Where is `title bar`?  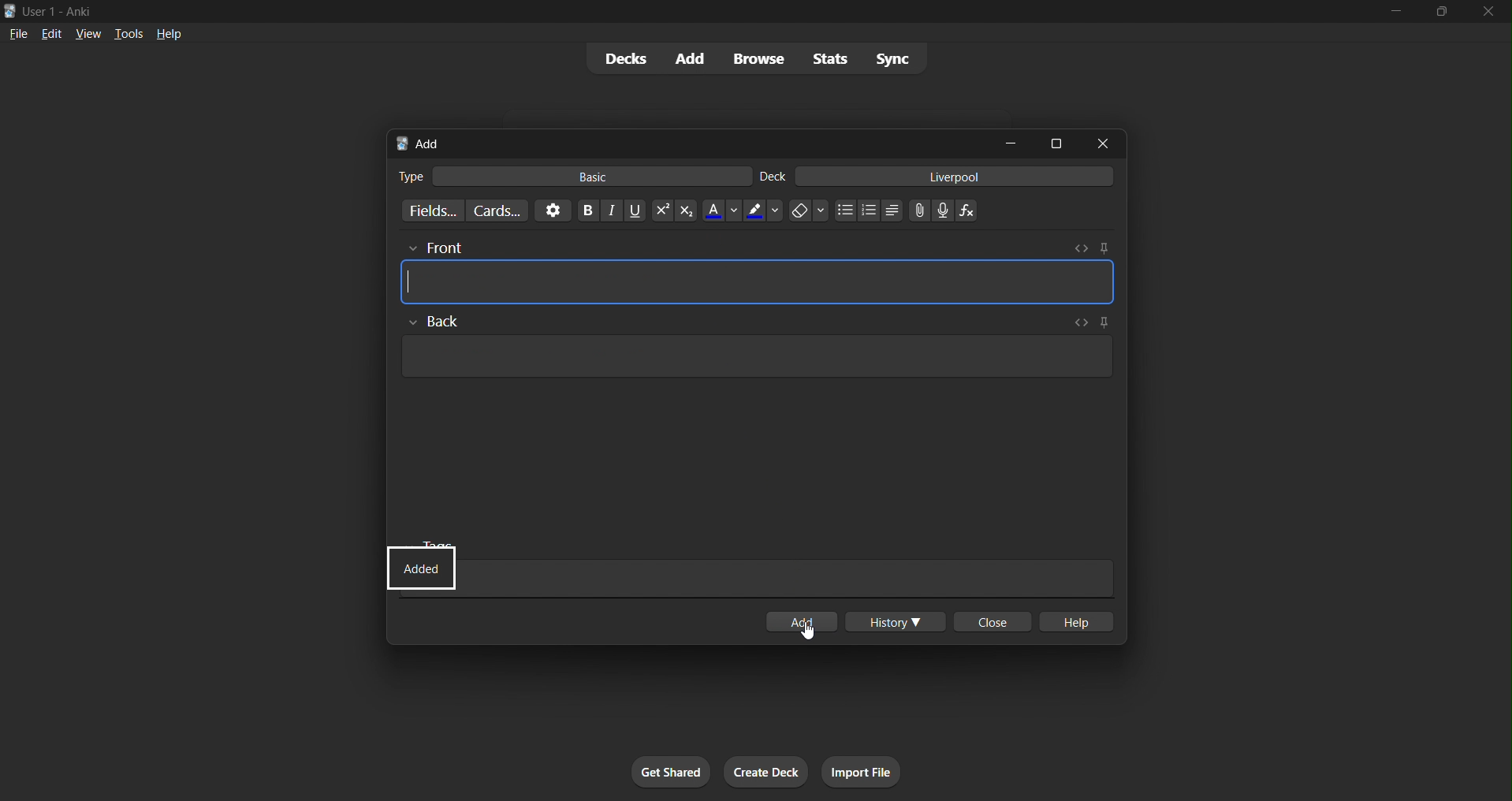 title bar is located at coordinates (667, 9).